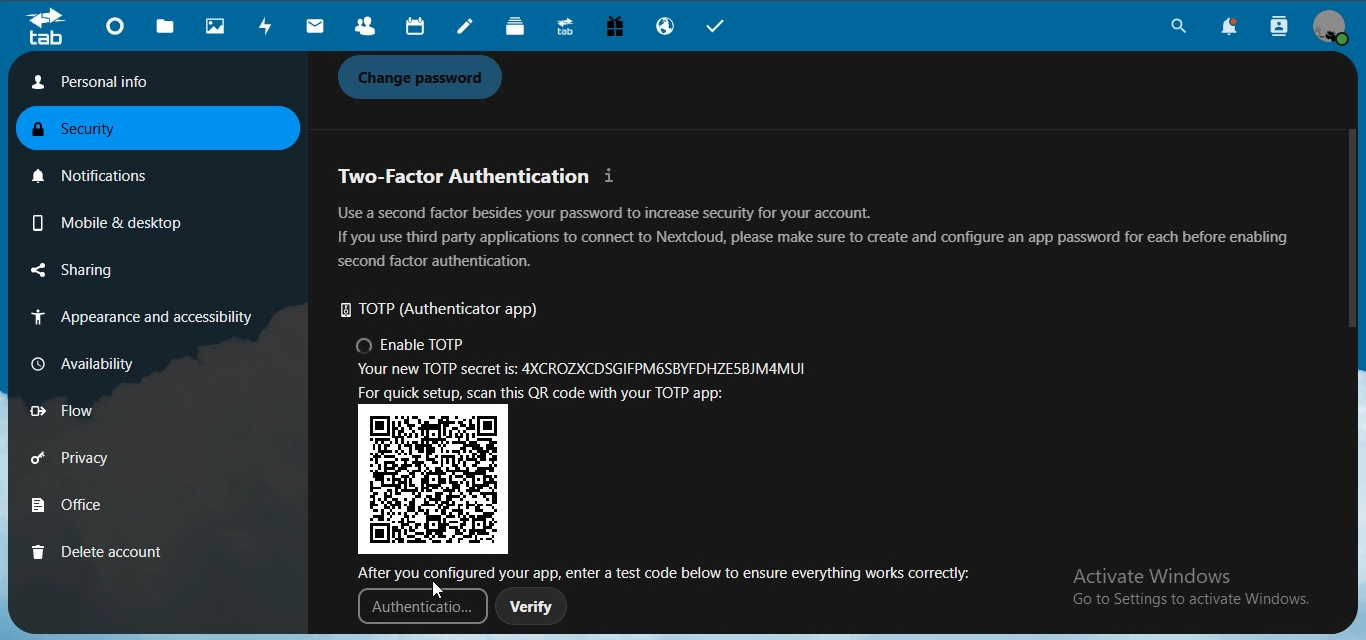  I want to click on change password, so click(426, 78).